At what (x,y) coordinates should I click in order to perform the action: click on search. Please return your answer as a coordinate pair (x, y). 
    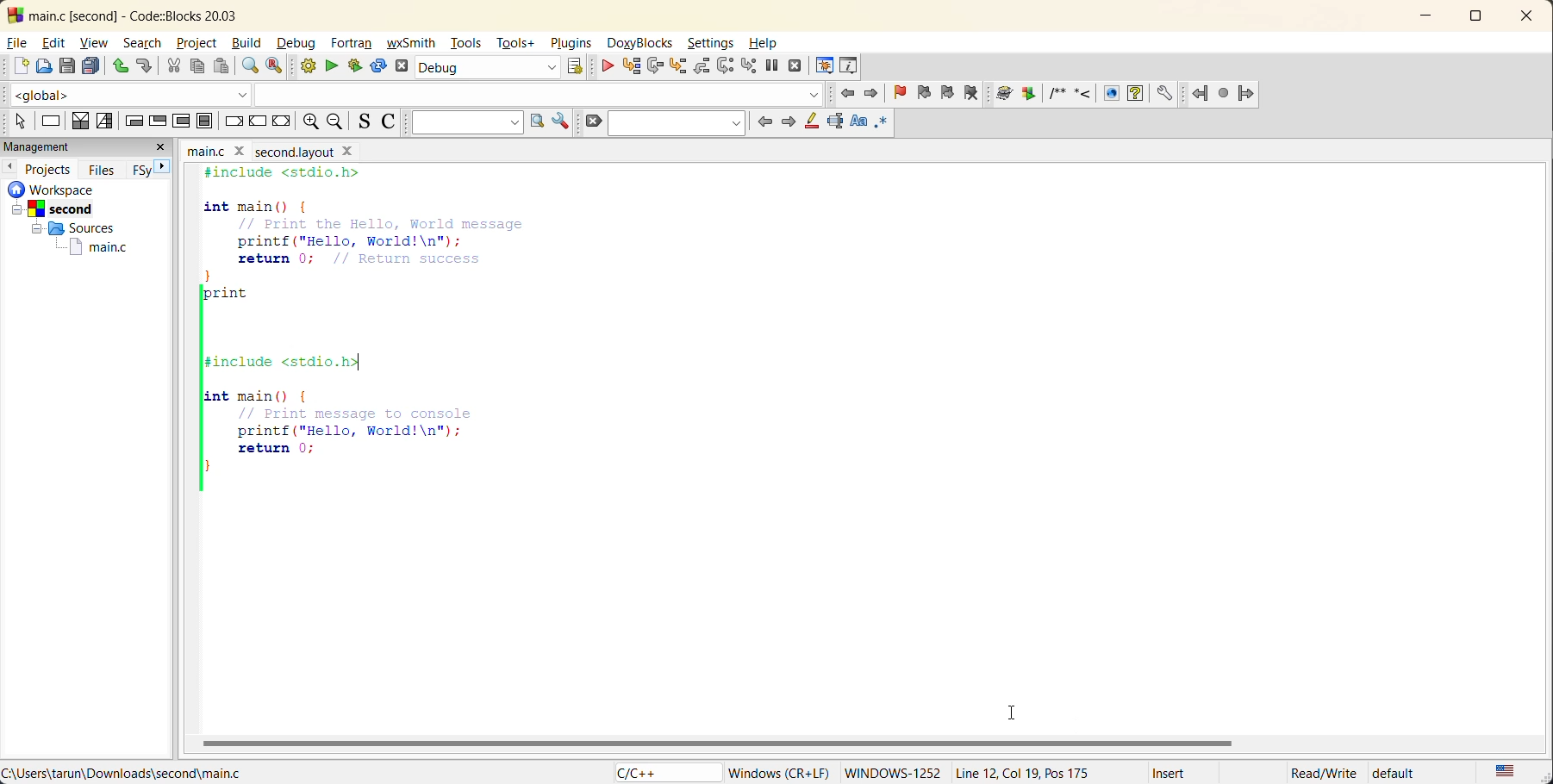
    Looking at the image, I should click on (680, 124).